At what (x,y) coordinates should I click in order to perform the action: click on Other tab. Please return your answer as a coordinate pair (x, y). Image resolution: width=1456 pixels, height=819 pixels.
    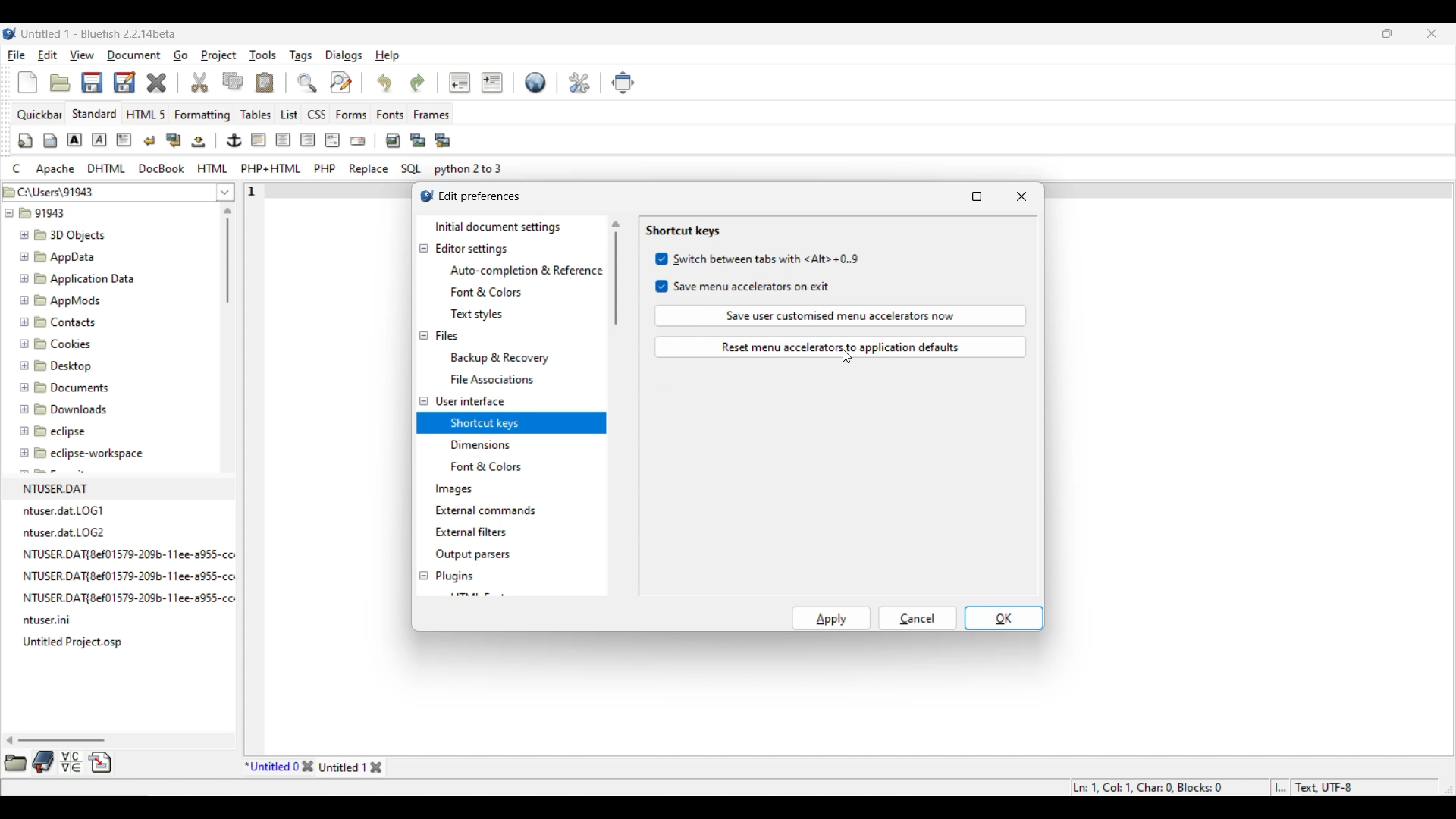
    Looking at the image, I should click on (352, 767).